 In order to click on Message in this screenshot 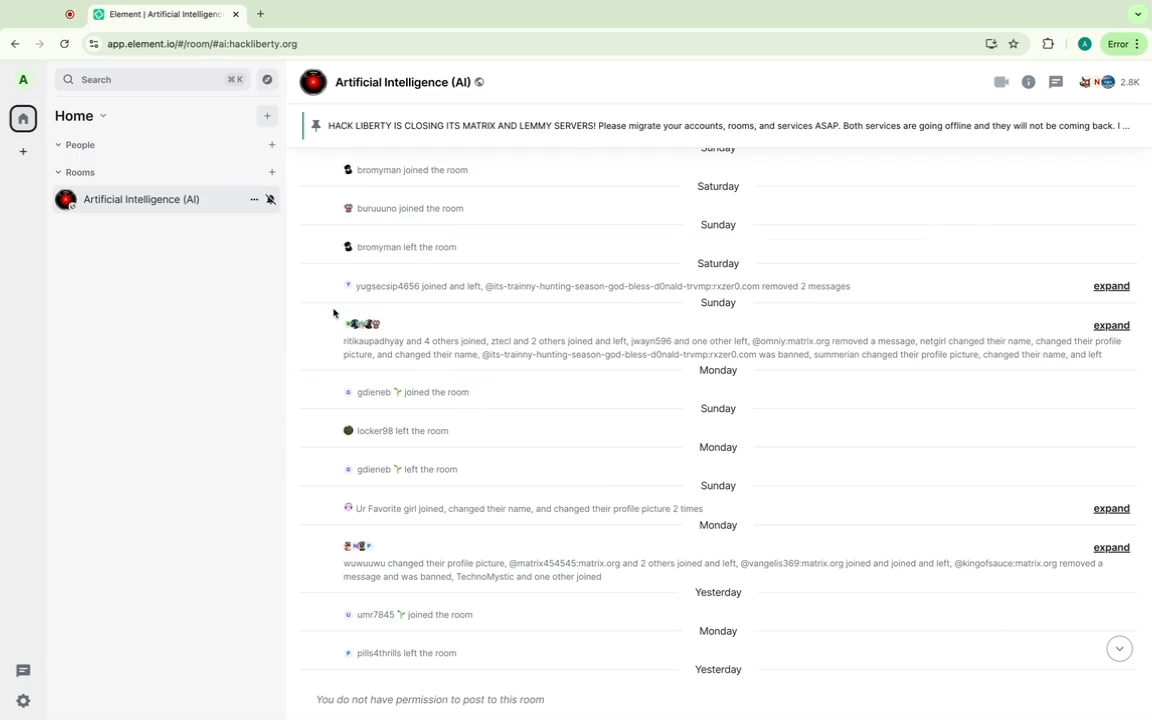, I will do `click(516, 508)`.